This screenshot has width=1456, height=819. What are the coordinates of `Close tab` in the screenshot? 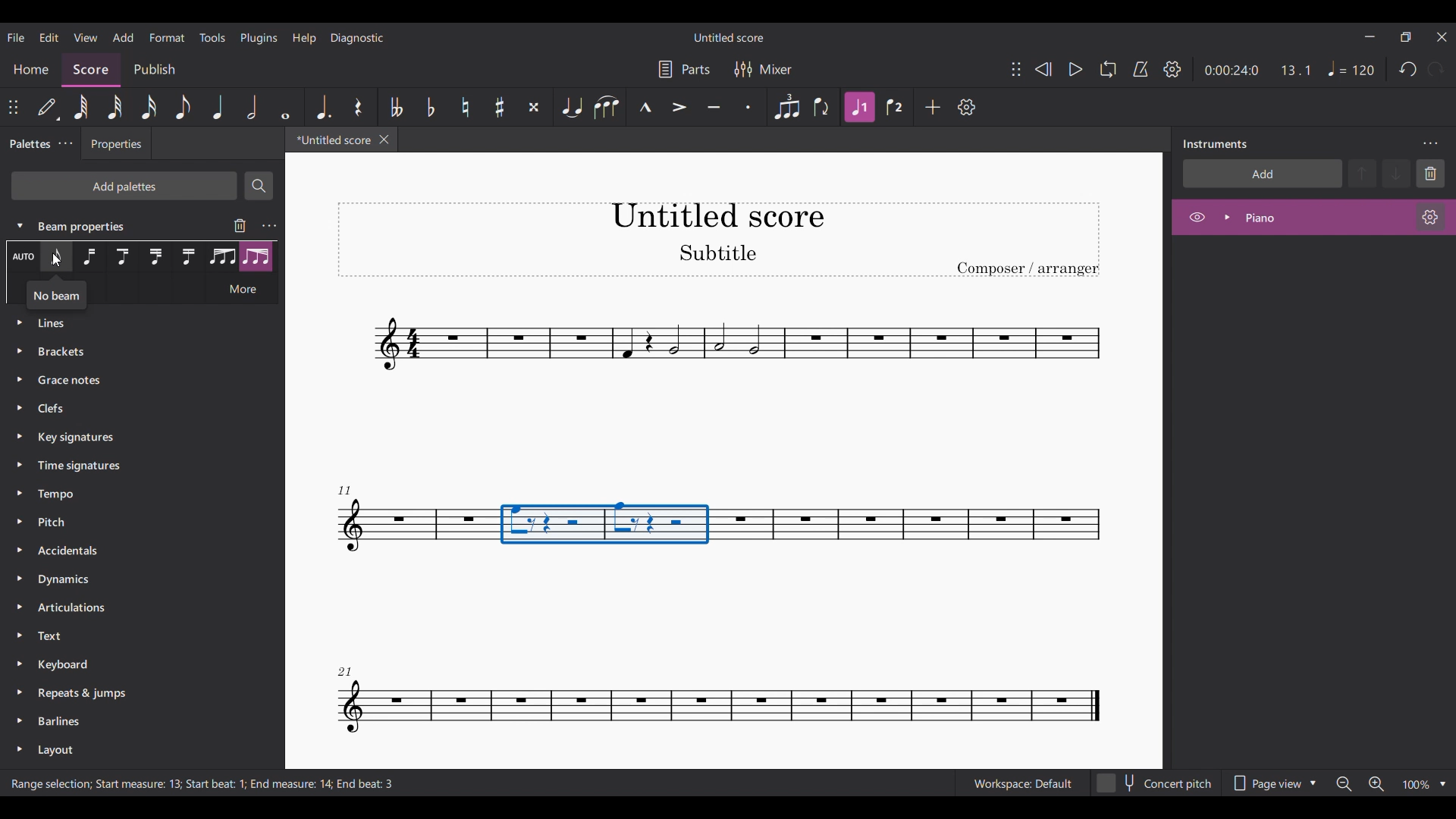 It's located at (384, 140).